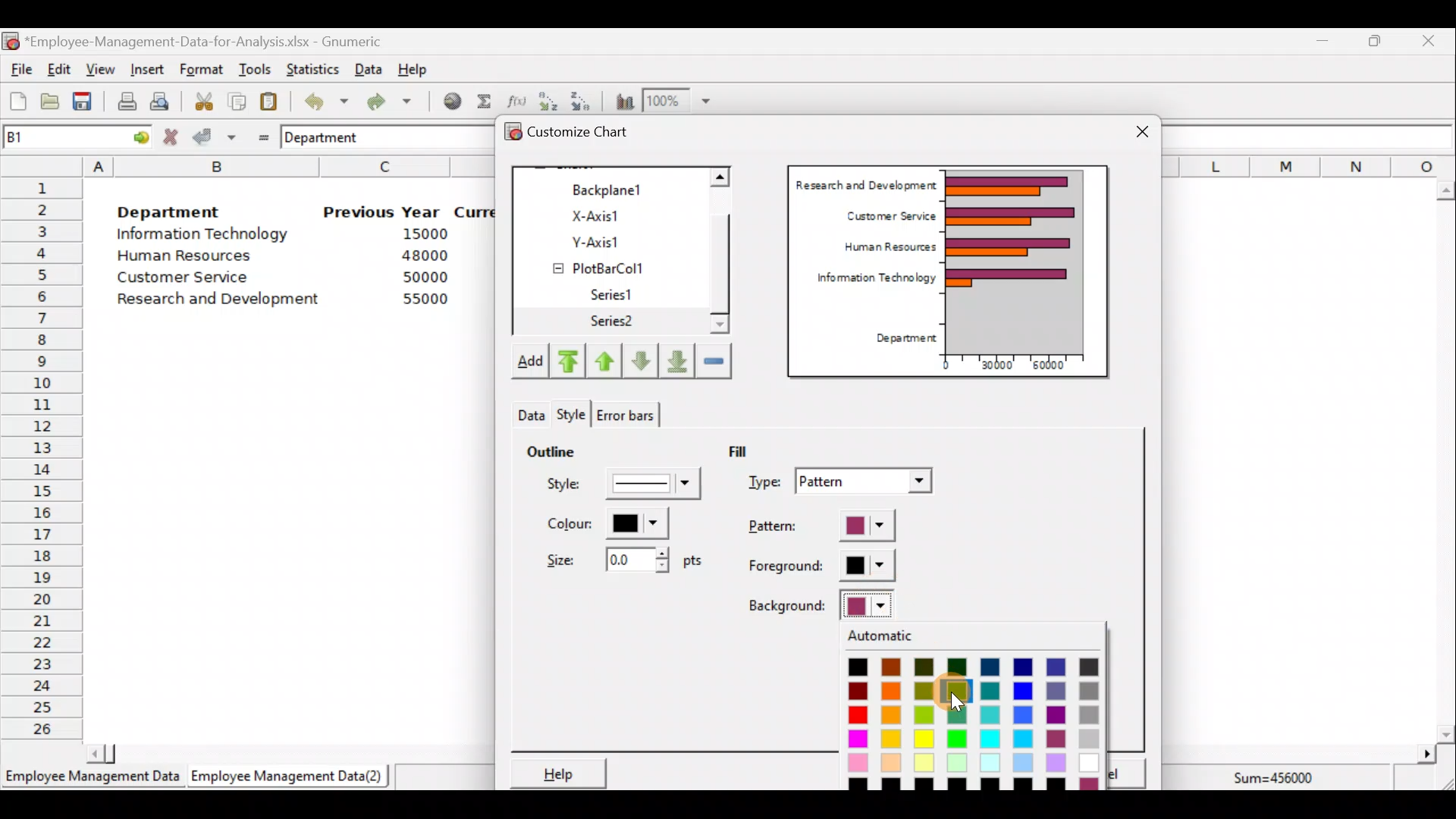  I want to click on 60000", so click(1057, 367).